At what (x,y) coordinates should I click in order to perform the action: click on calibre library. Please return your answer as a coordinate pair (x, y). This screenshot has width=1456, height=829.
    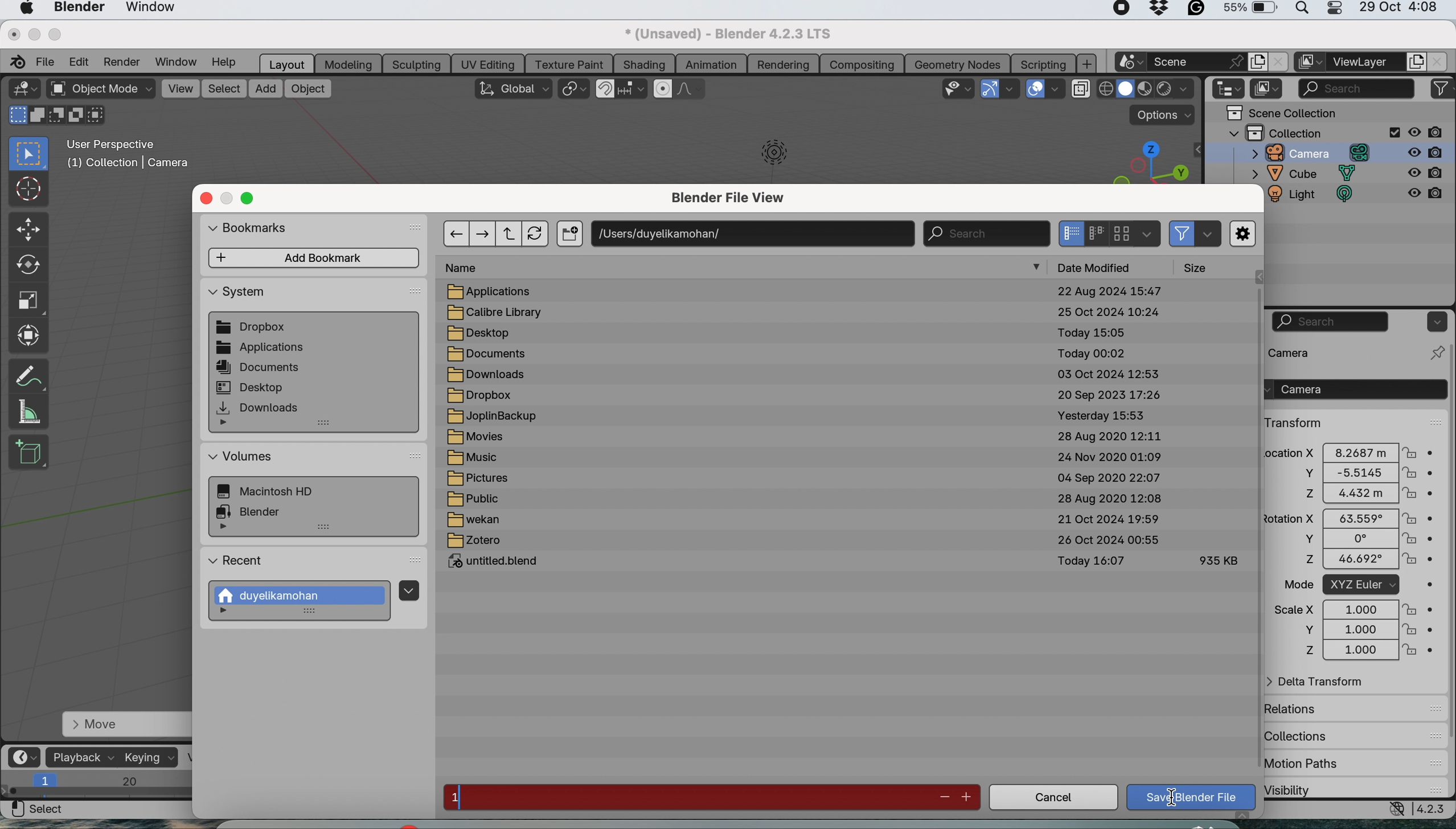
    Looking at the image, I should click on (498, 313).